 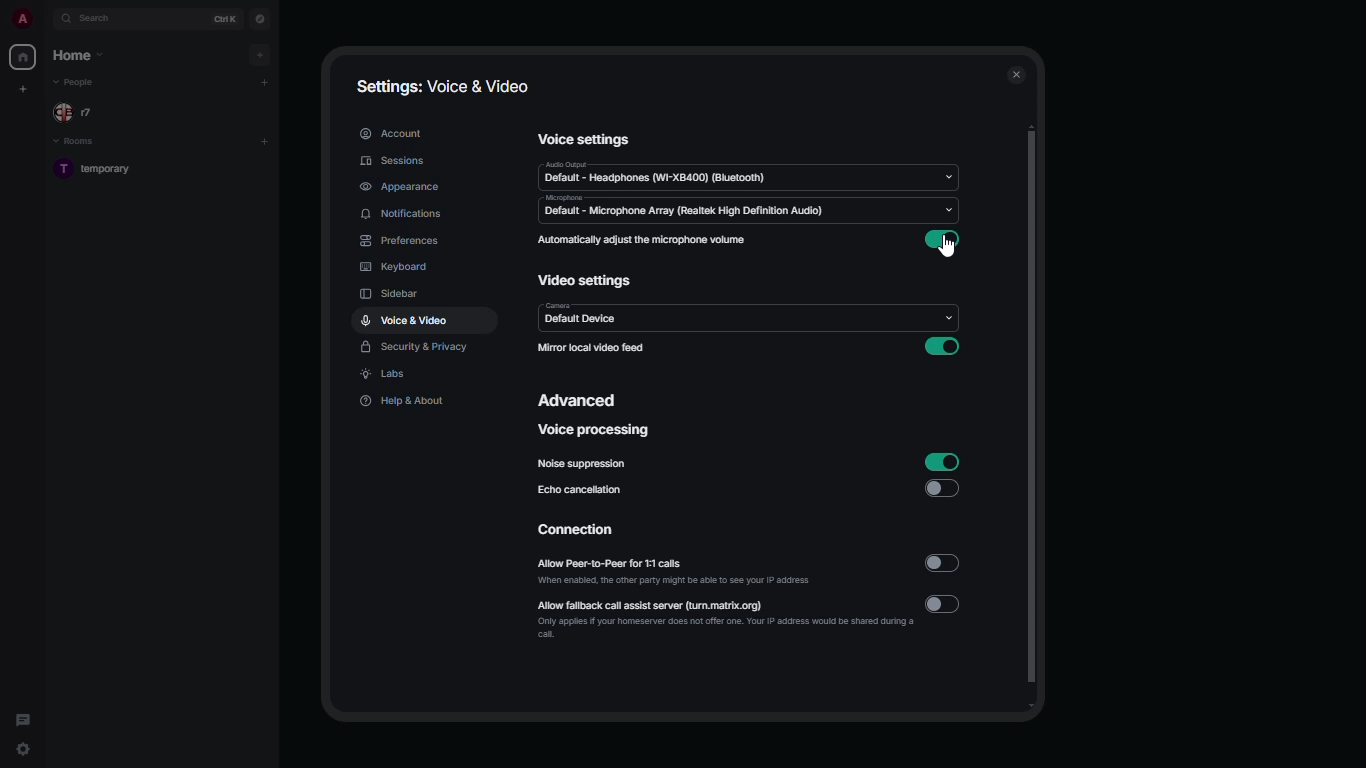 I want to click on automatically adjust the microphone volume, so click(x=642, y=240).